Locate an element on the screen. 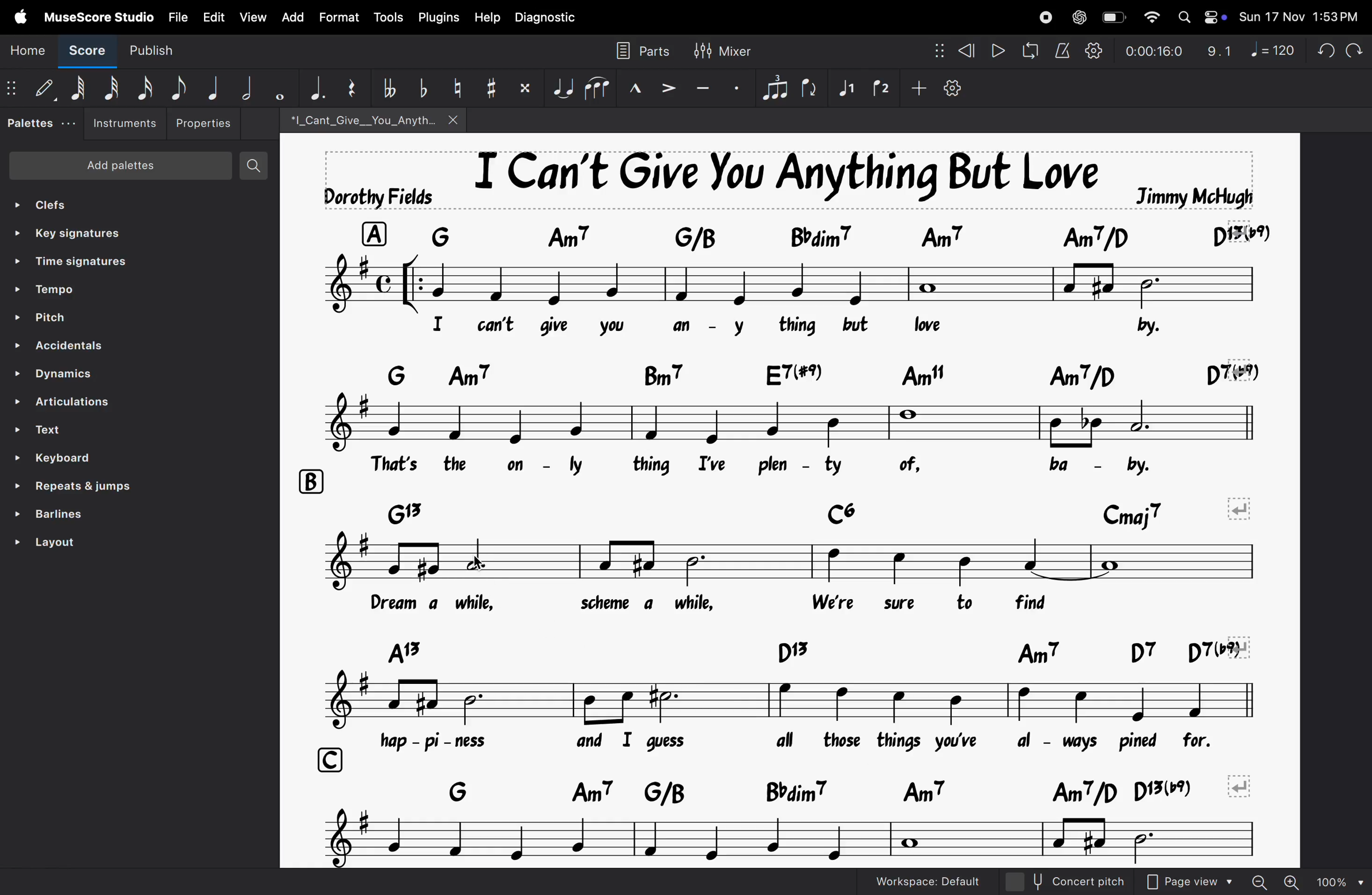 The height and width of the screenshot is (895, 1372). eight note is located at coordinates (179, 87).